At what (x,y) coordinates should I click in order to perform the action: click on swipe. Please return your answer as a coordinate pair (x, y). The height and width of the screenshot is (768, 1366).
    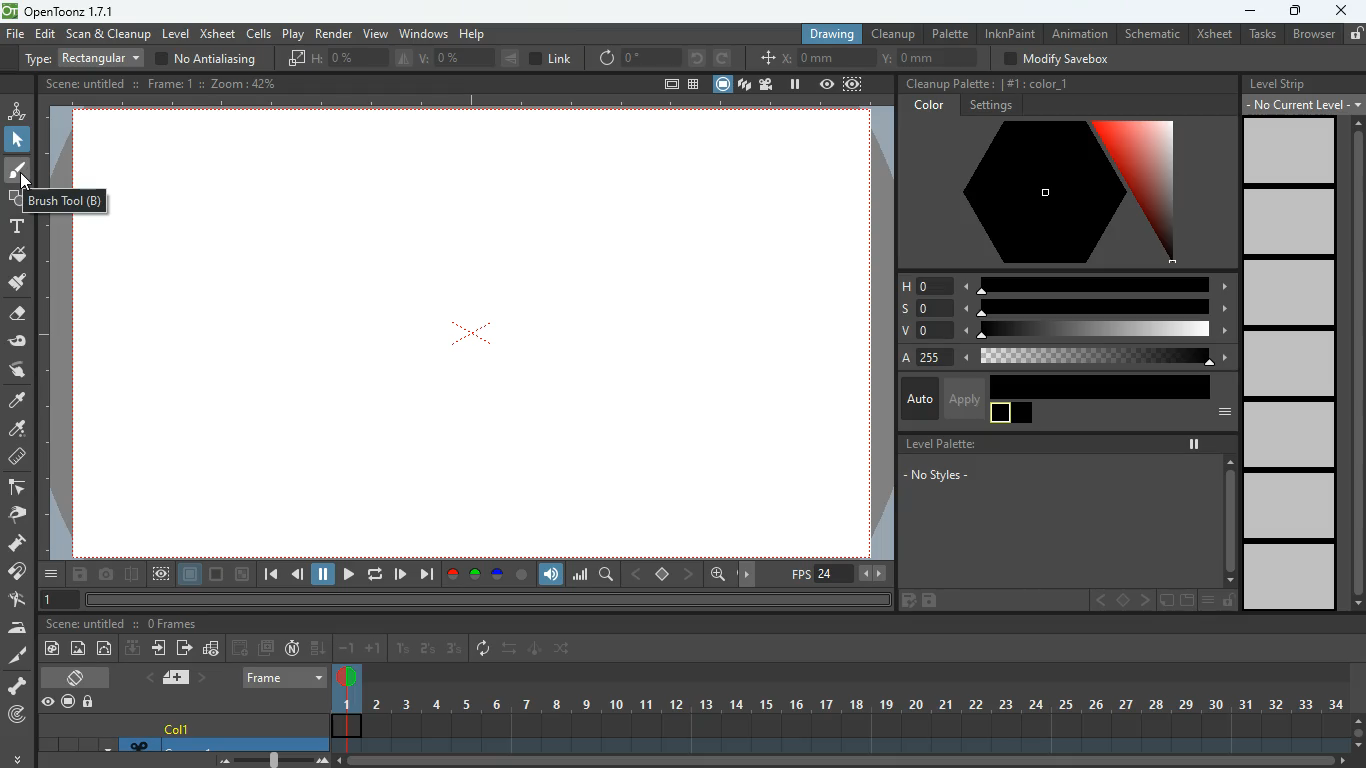
    Looking at the image, I should click on (15, 369).